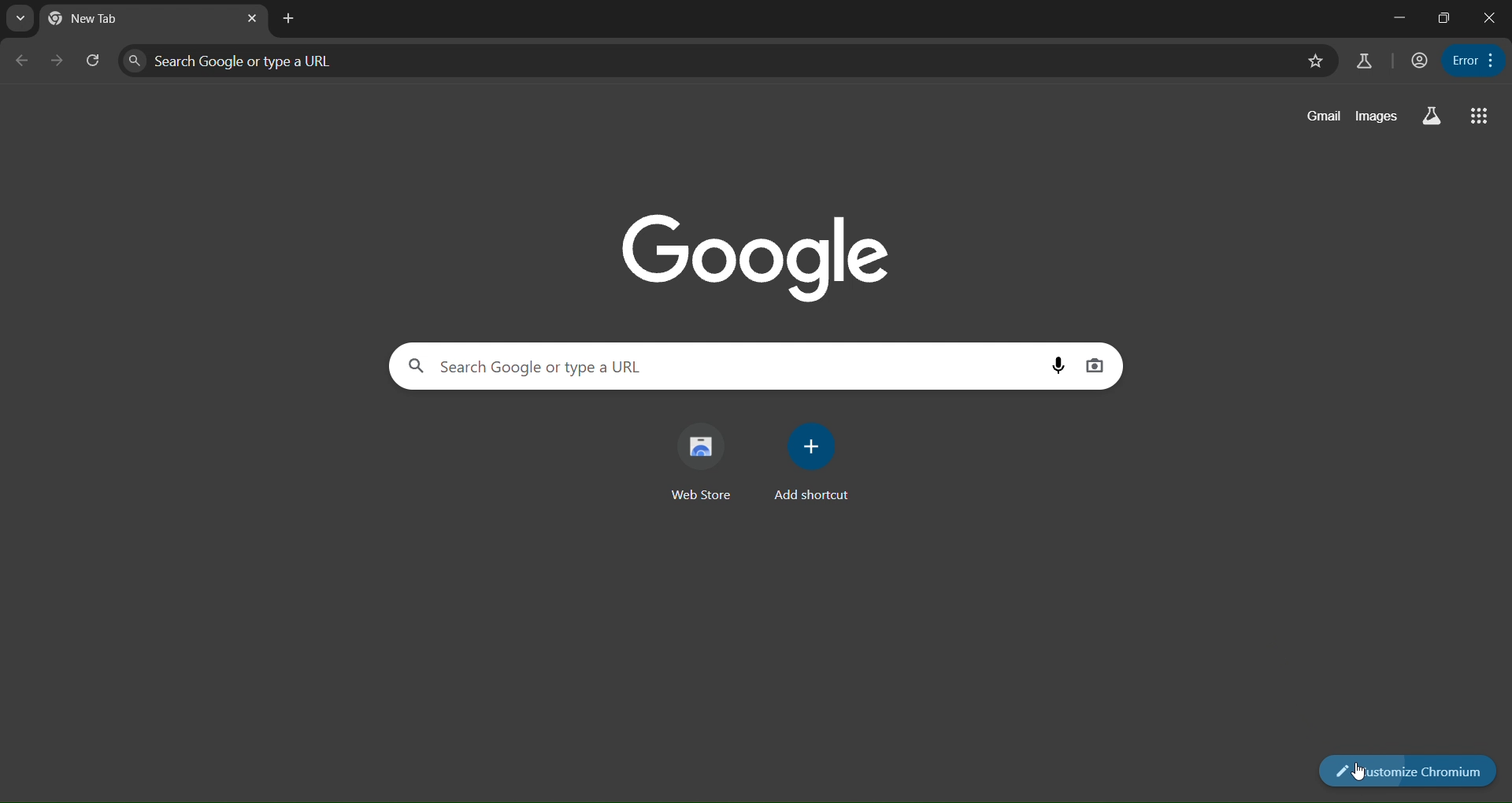 This screenshot has height=803, width=1512. I want to click on search labs, so click(1433, 115).